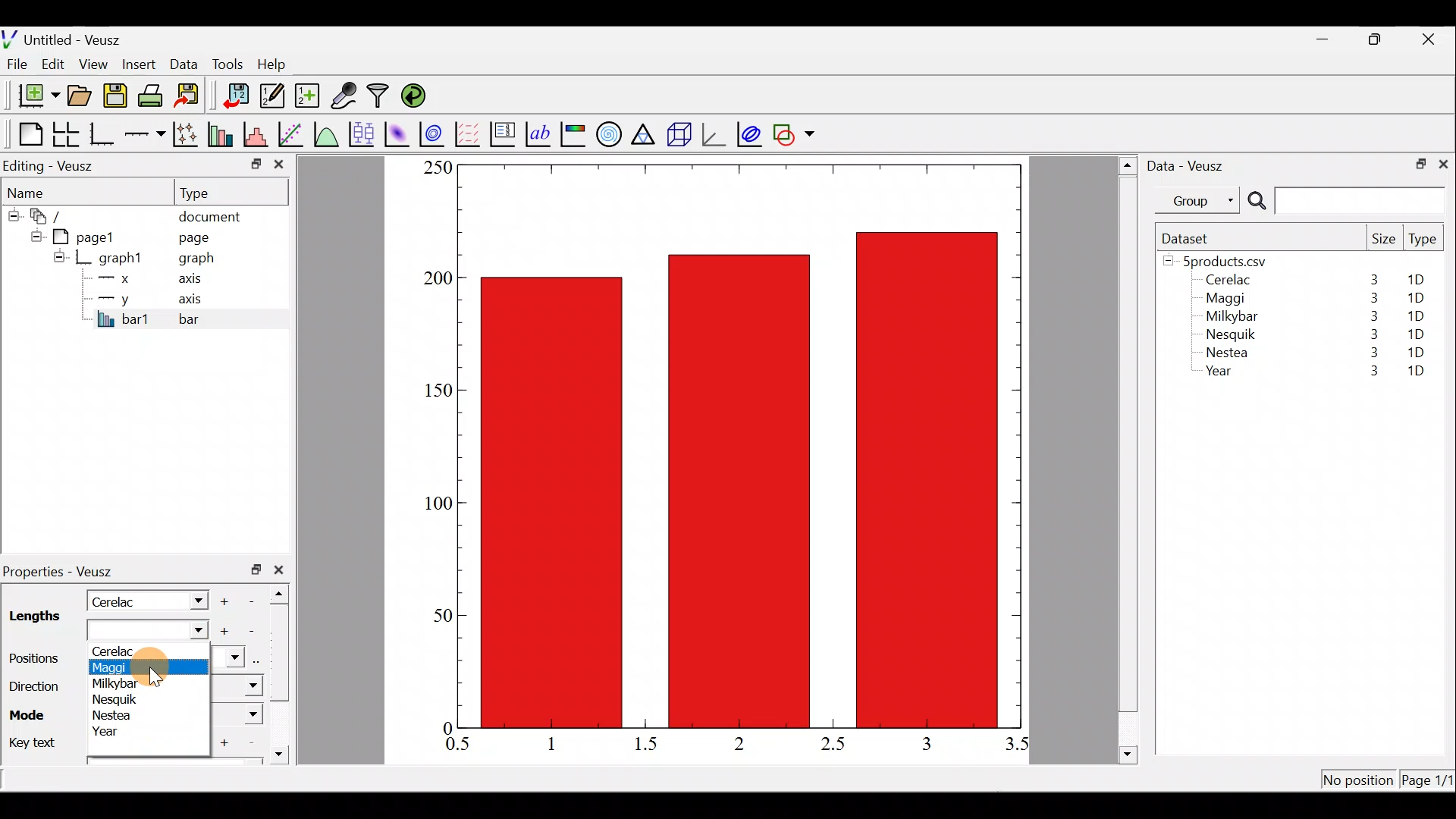 The width and height of the screenshot is (1456, 819). I want to click on Nesquik, so click(118, 700).